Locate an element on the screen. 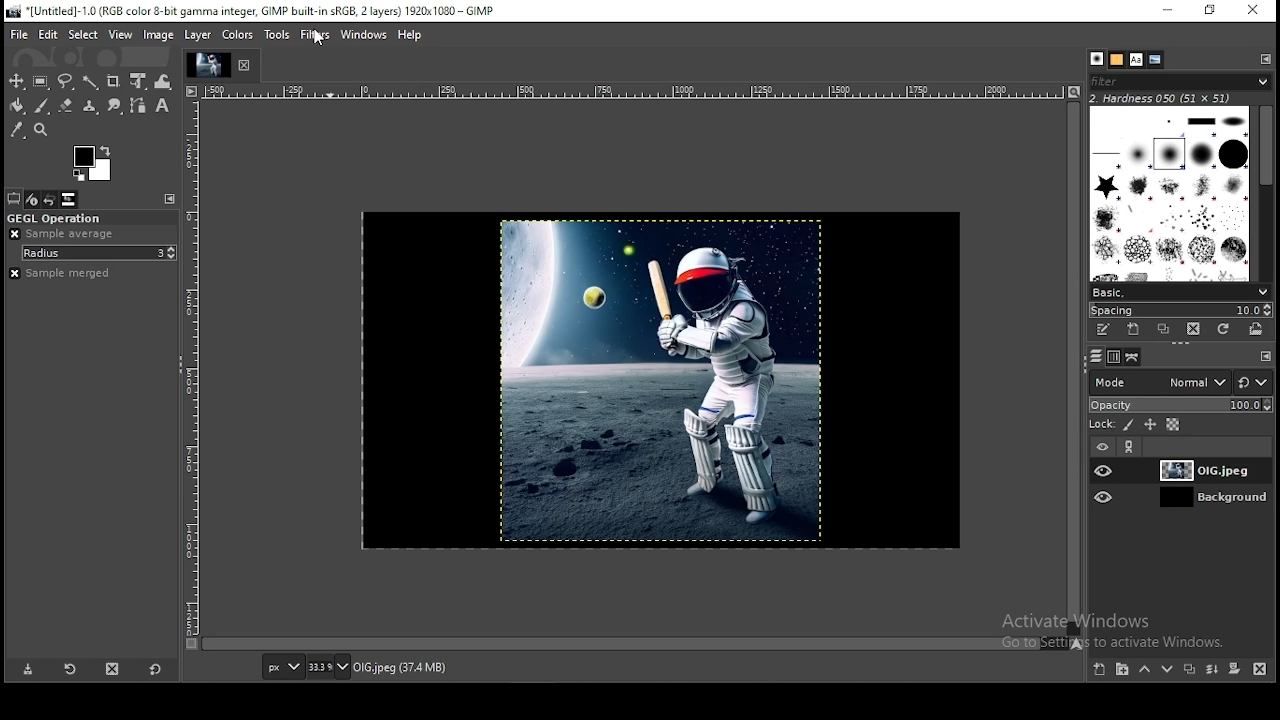  undo history is located at coordinates (51, 200).